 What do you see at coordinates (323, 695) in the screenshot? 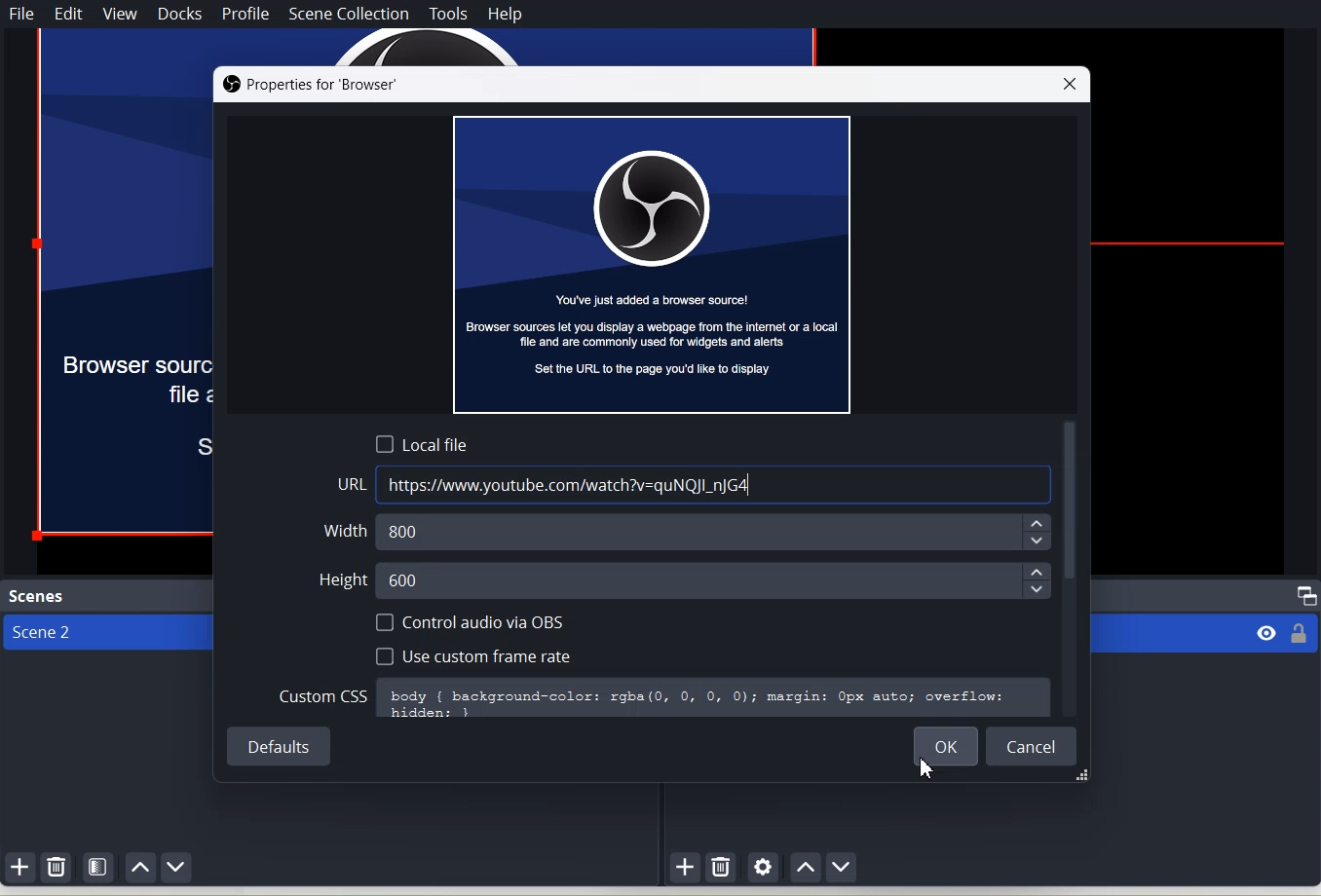
I see `Custom CSS` at bounding box center [323, 695].